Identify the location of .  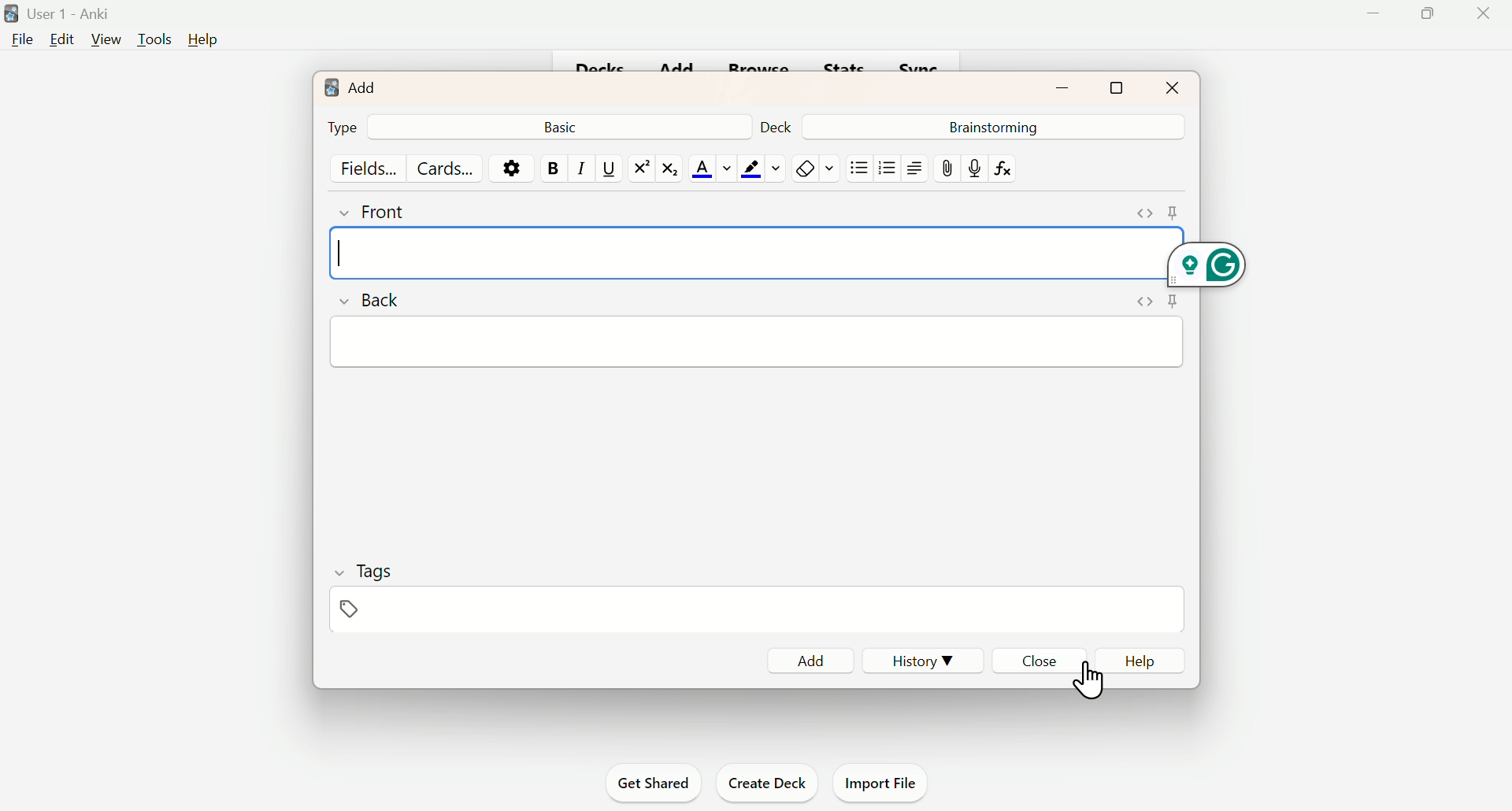
(1177, 87).